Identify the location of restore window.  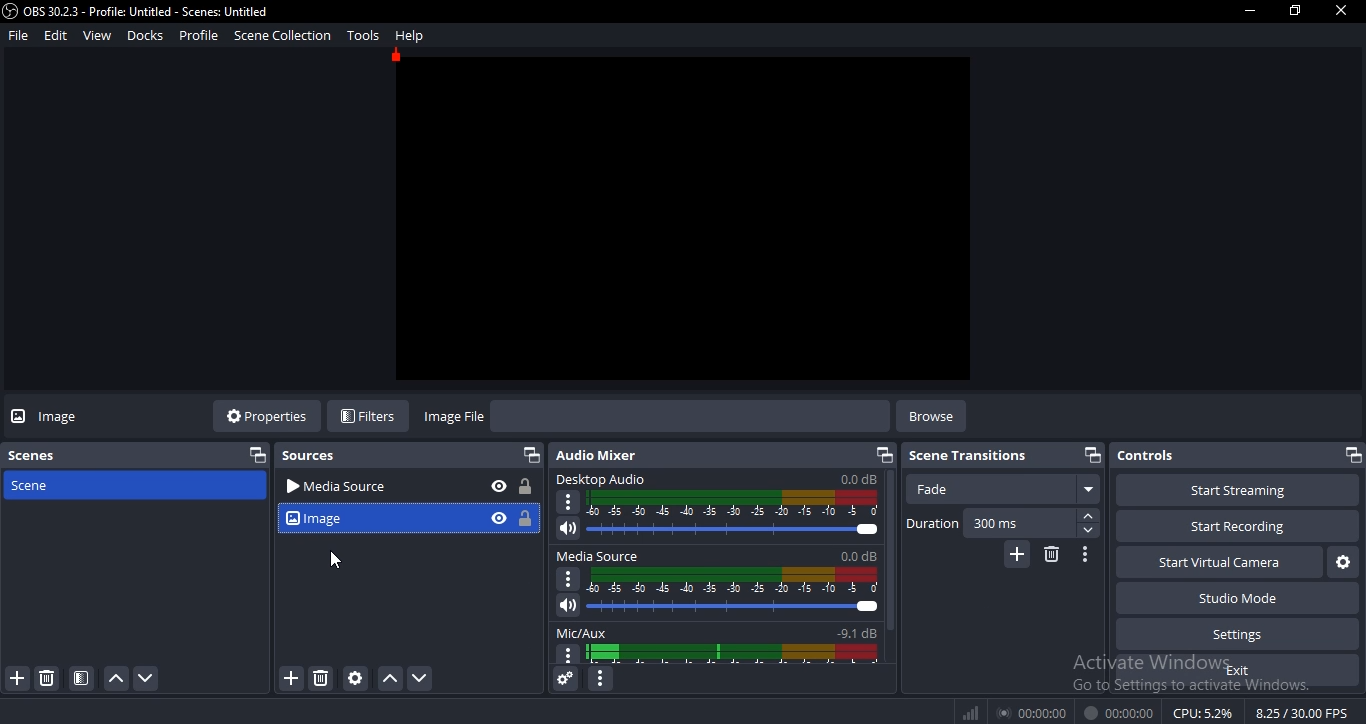
(1293, 13).